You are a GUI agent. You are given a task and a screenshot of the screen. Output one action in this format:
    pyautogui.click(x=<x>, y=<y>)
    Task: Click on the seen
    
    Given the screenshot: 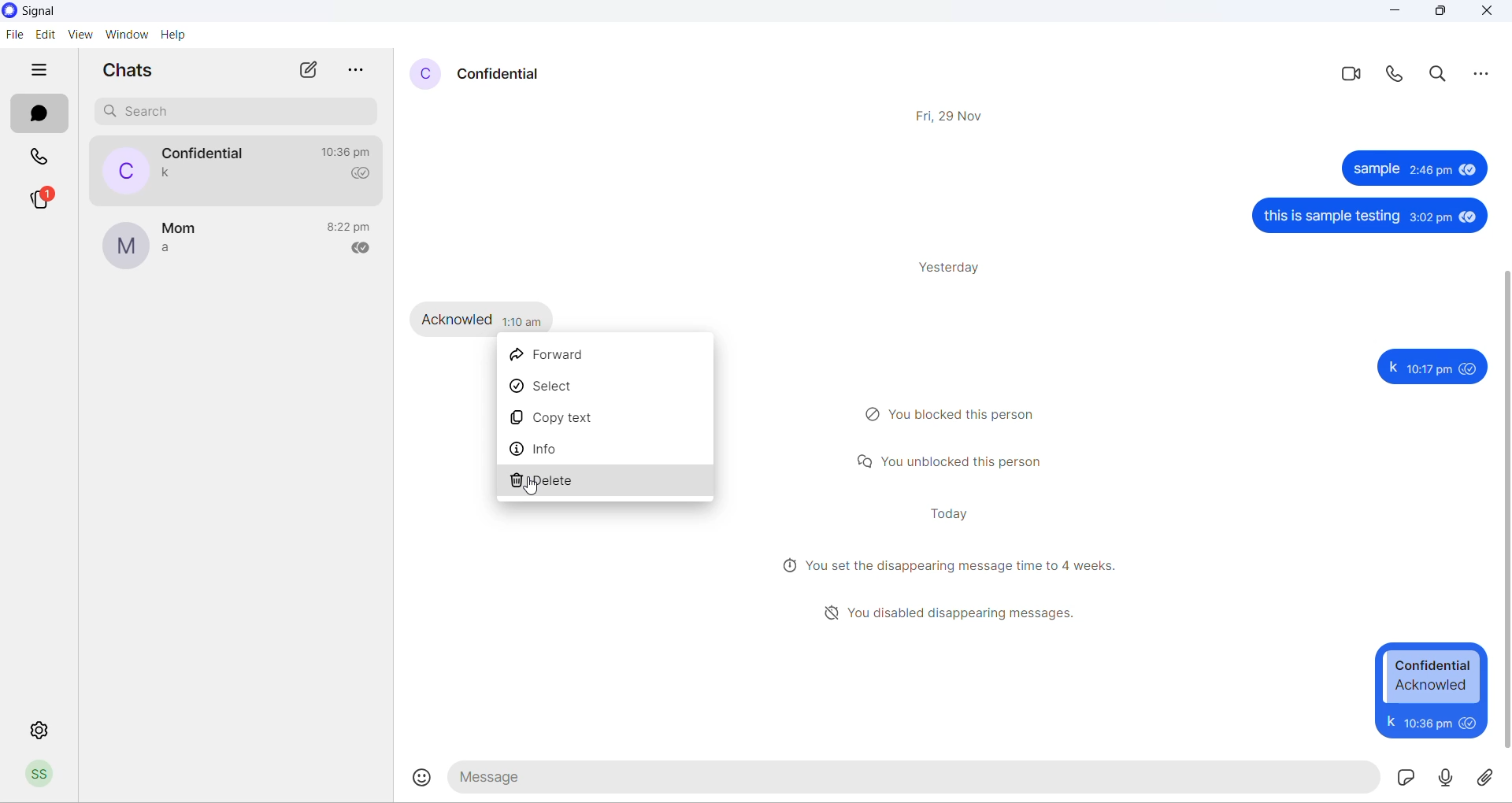 What is the action you would take?
    pyautogui.click(x=1470, y=169)
    